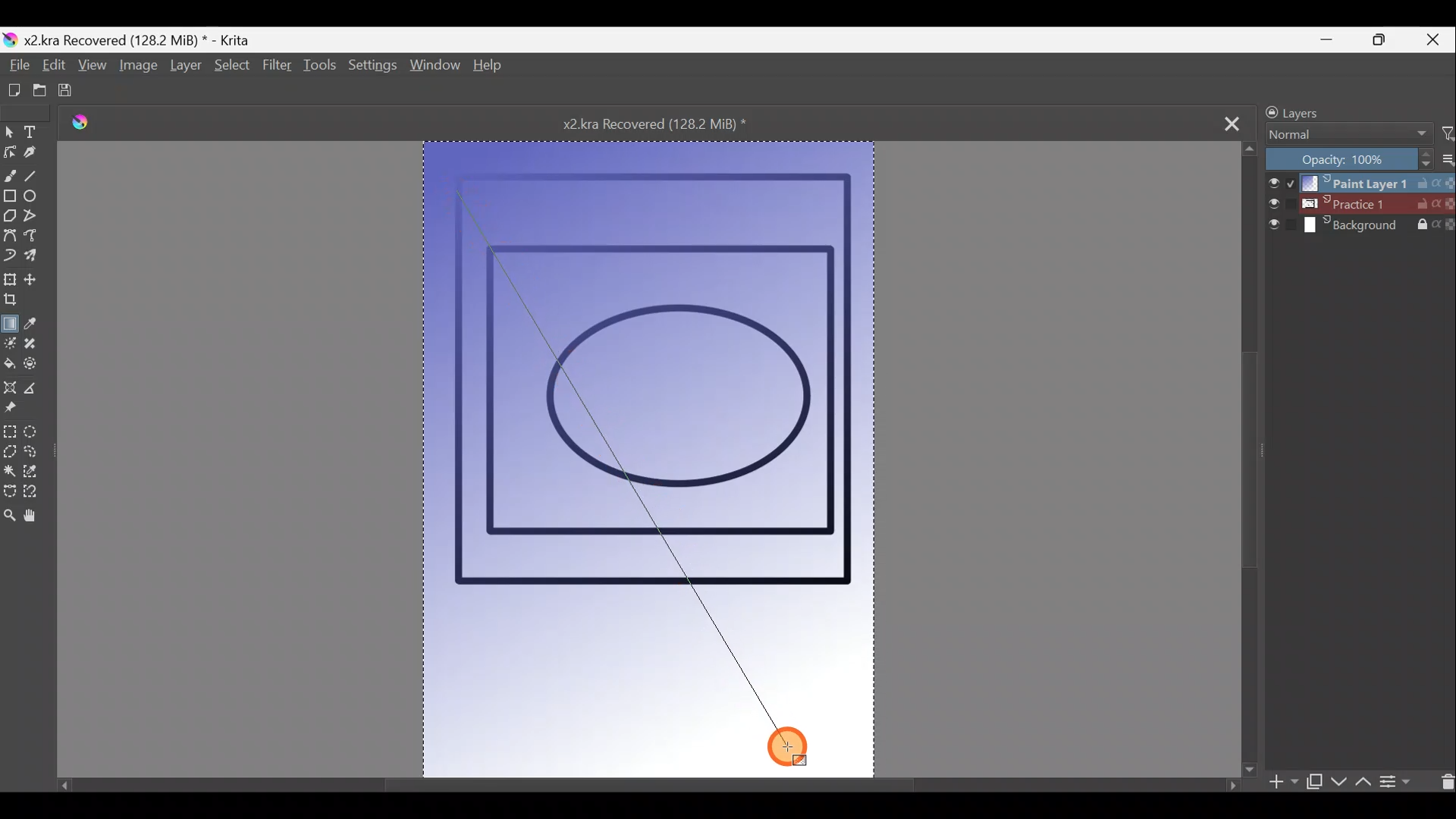  Describe the element at coordinates (1314, 785) in the screenshot. I see `Duplicate layer/mask` at that location.